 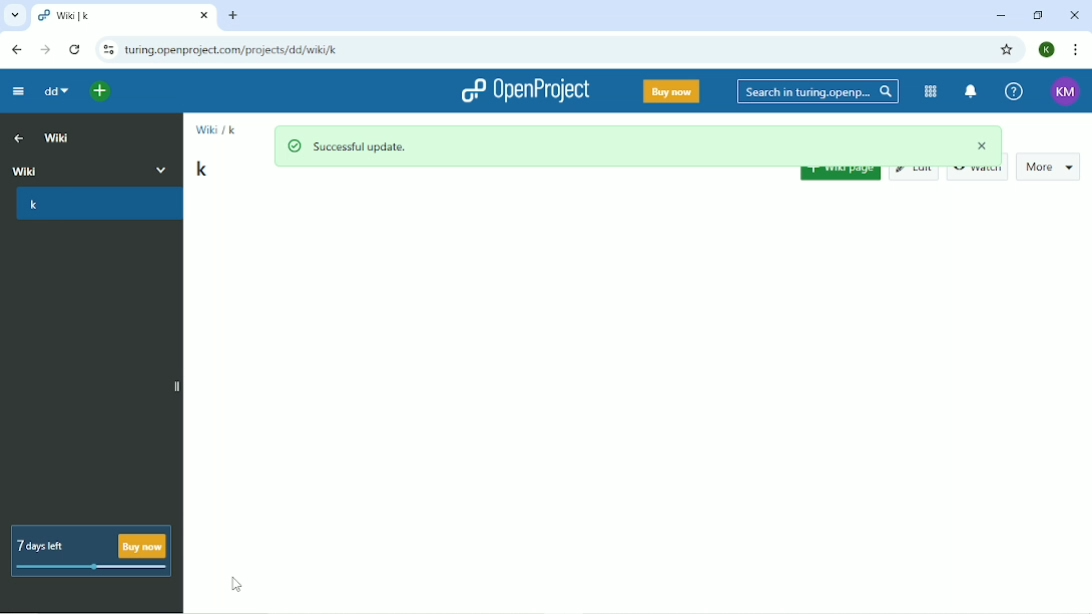 I want to click on More, so click(x=1048, y=167).